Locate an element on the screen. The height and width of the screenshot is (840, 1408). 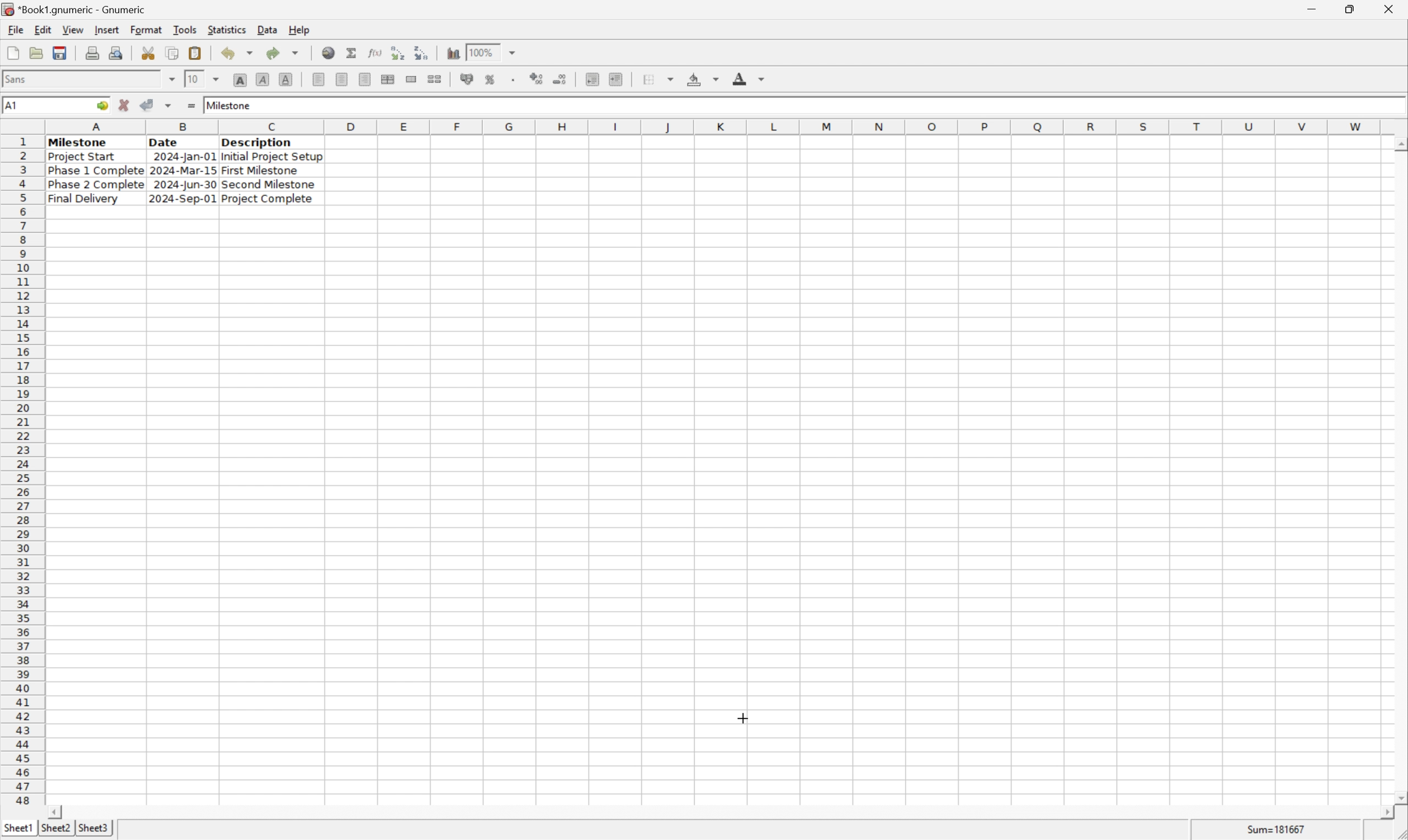
Sort the selected region in descending order based on the first column selected is located at coordinates (422, 52).